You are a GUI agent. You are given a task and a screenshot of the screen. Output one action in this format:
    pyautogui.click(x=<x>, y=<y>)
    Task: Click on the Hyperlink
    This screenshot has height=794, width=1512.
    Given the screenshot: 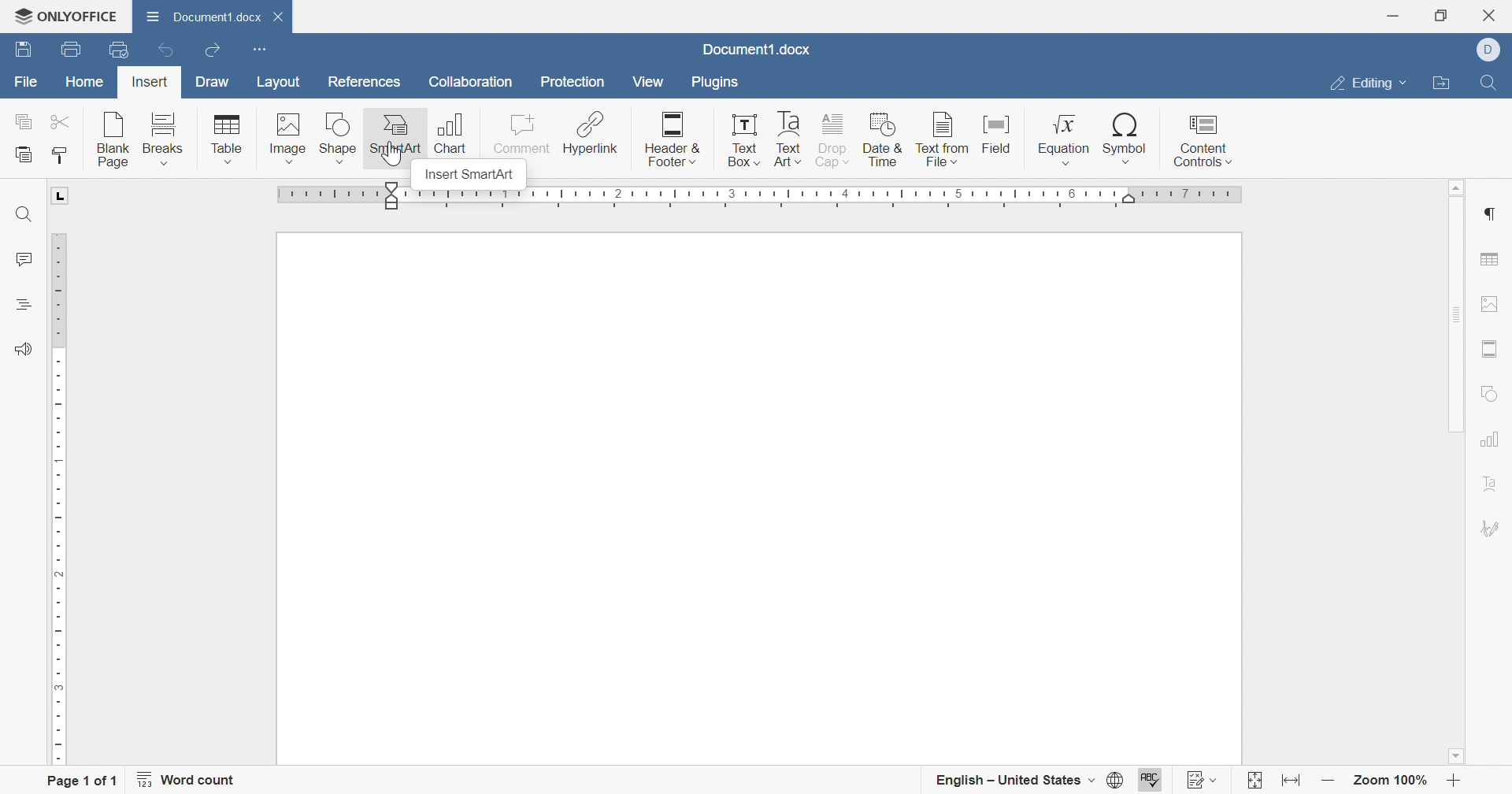 What is the action you would take?
    pyautogui.click(x=590, y=135)
    